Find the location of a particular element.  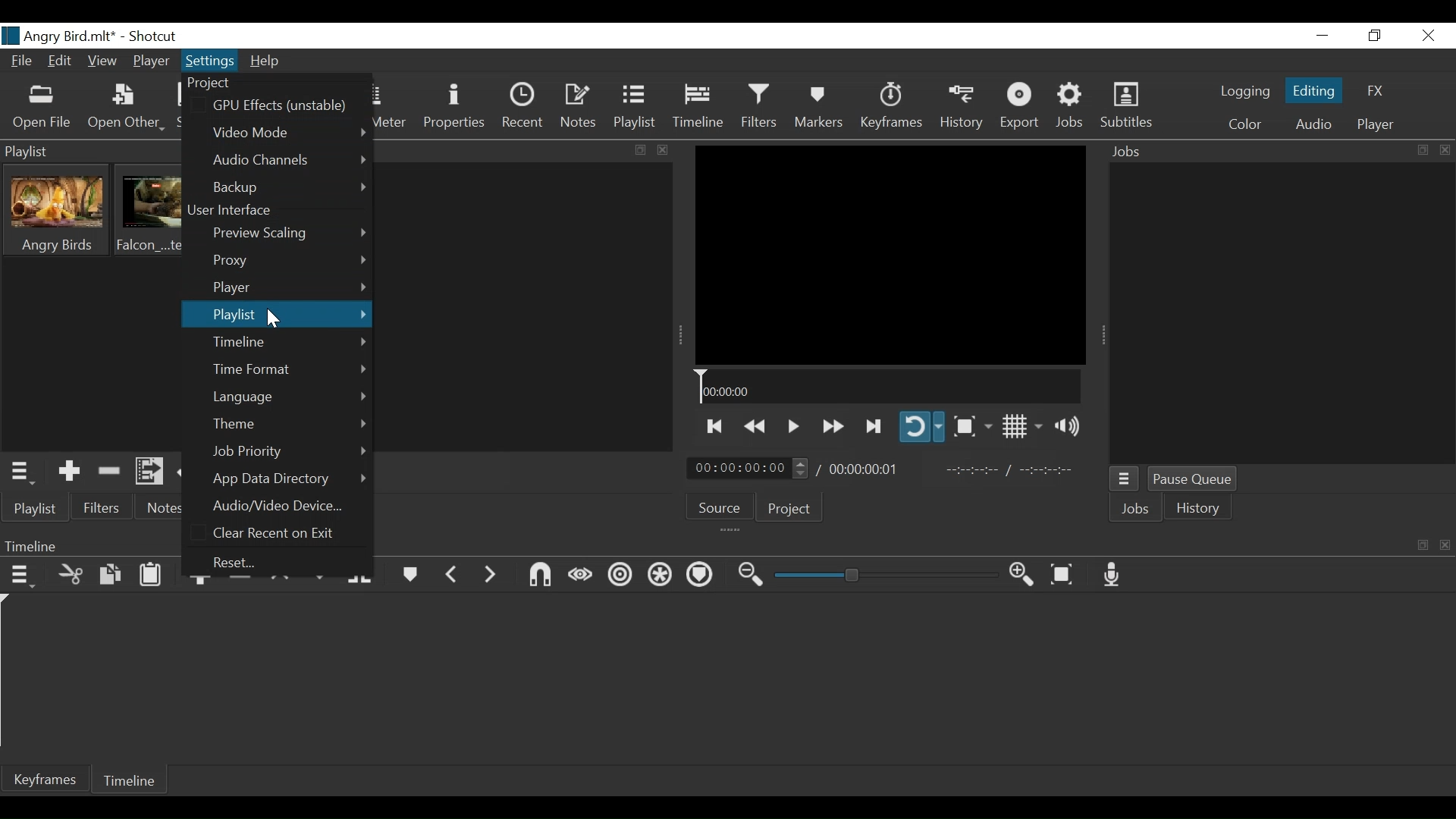

Toggle display grid on the player is located at coordinates (1022, 427).